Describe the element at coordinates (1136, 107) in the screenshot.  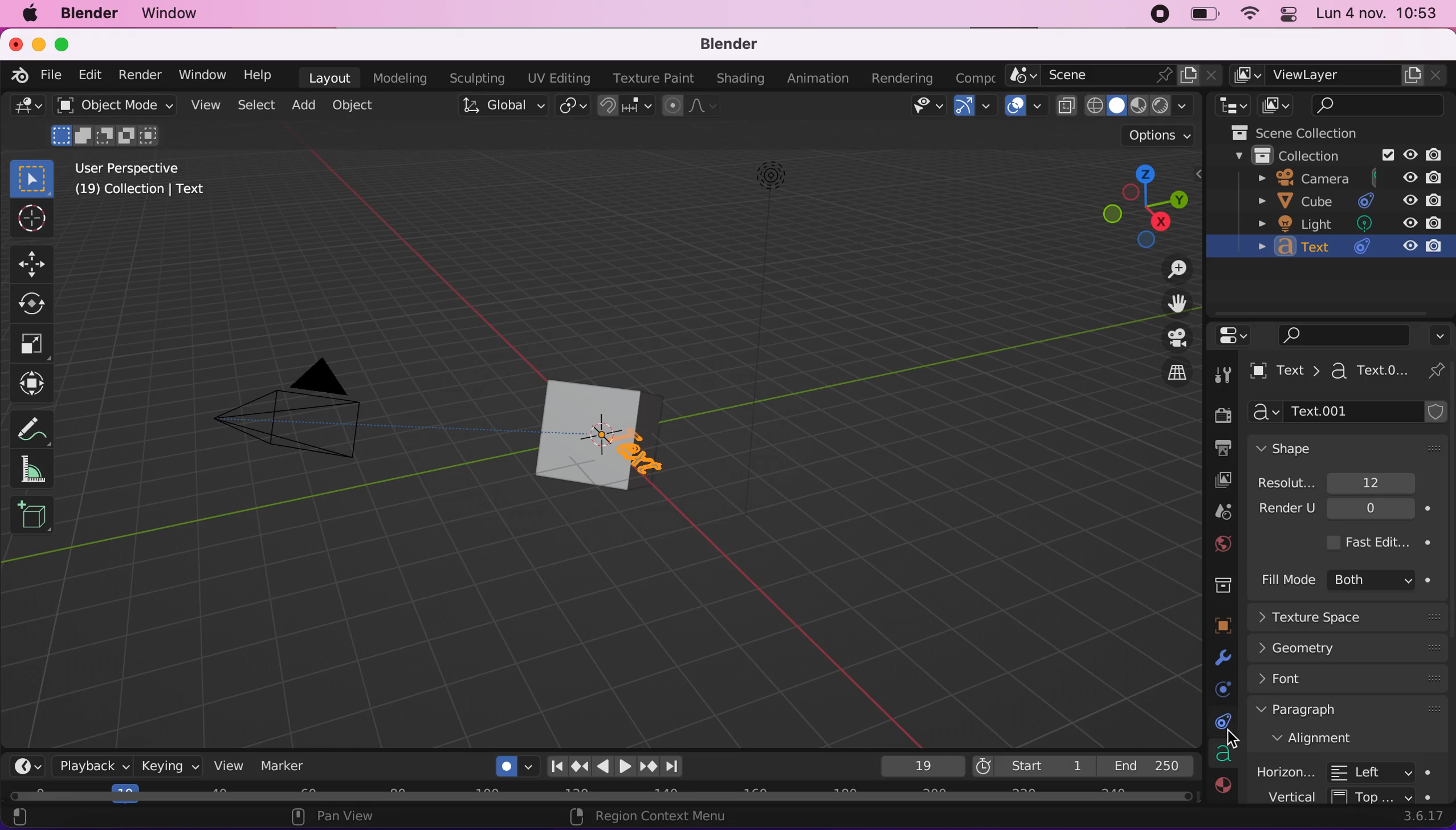
I see `shading` at that location.